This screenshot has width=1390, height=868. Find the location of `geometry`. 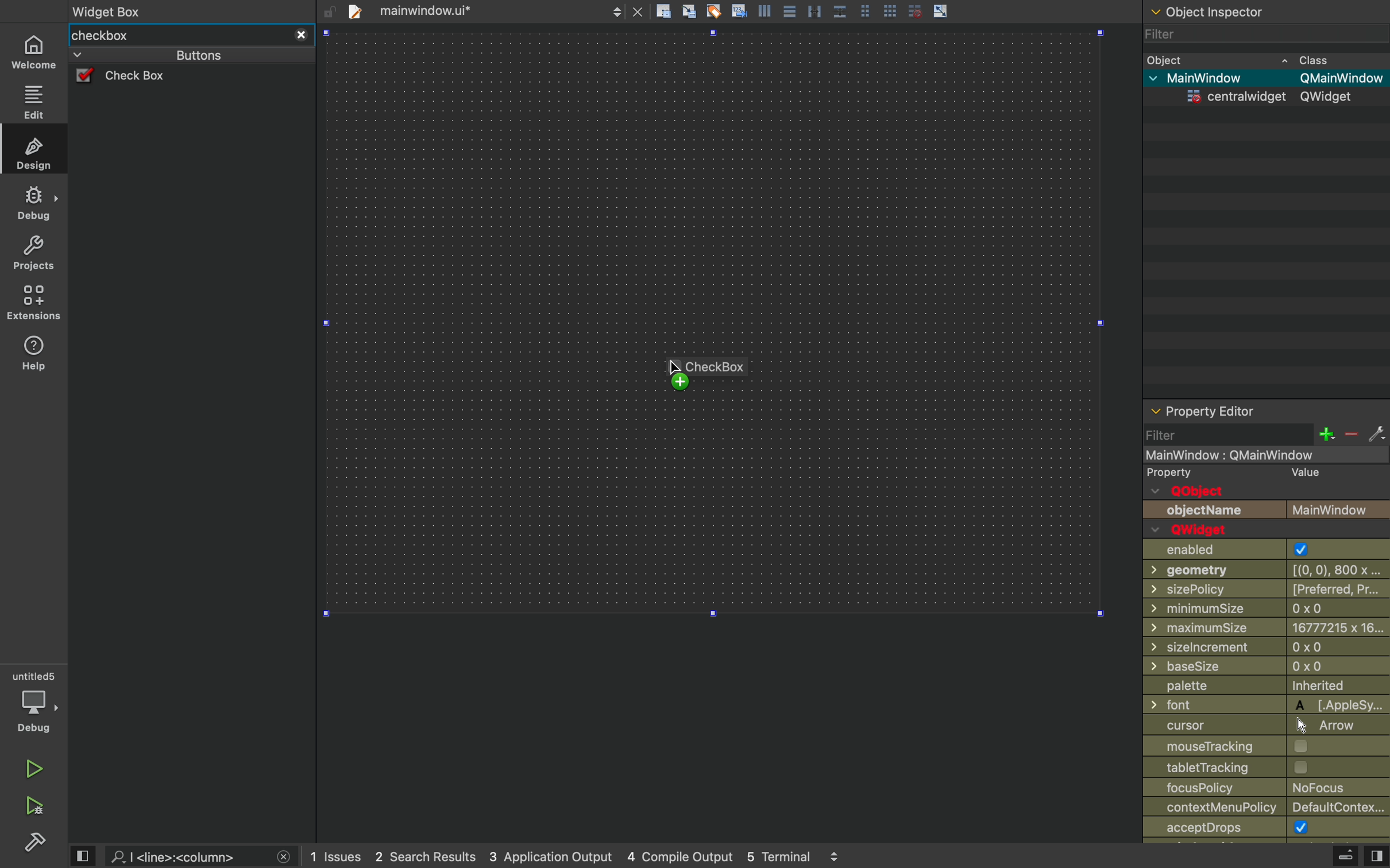

geometry is located at coordinates (1269, 569).